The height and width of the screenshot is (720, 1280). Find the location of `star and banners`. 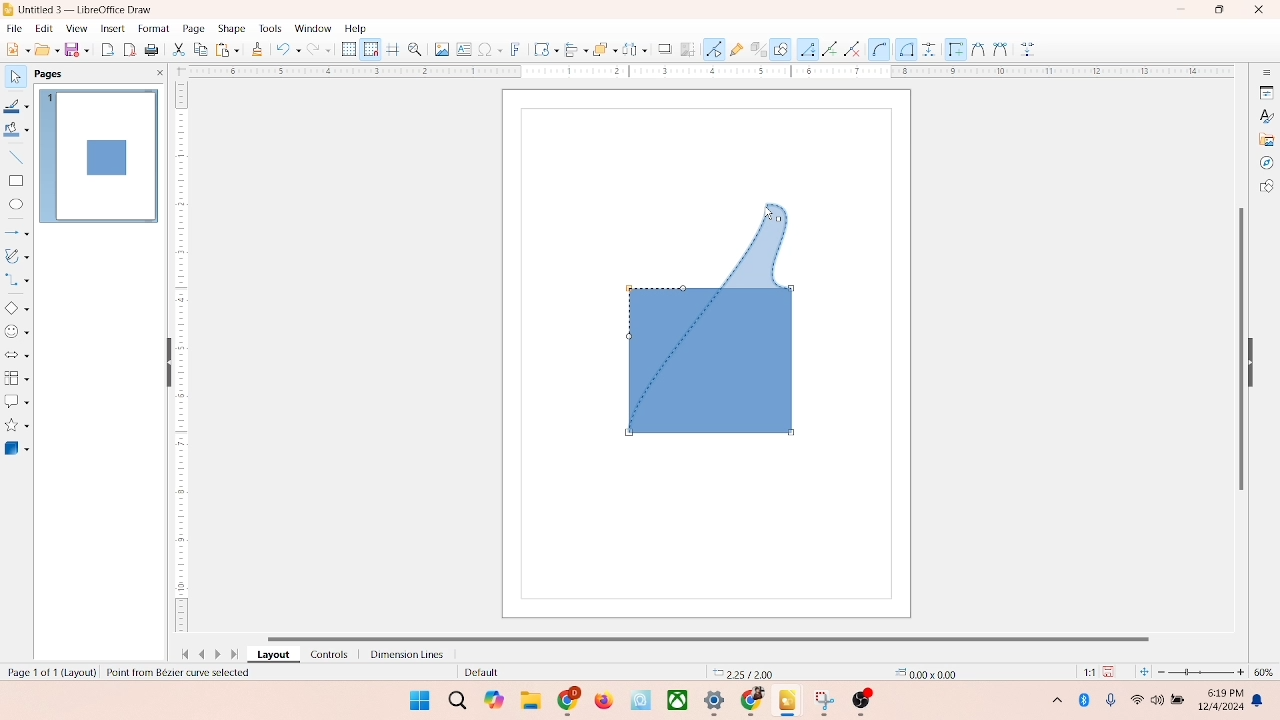

star and banners is located at coordinates (19, 425).